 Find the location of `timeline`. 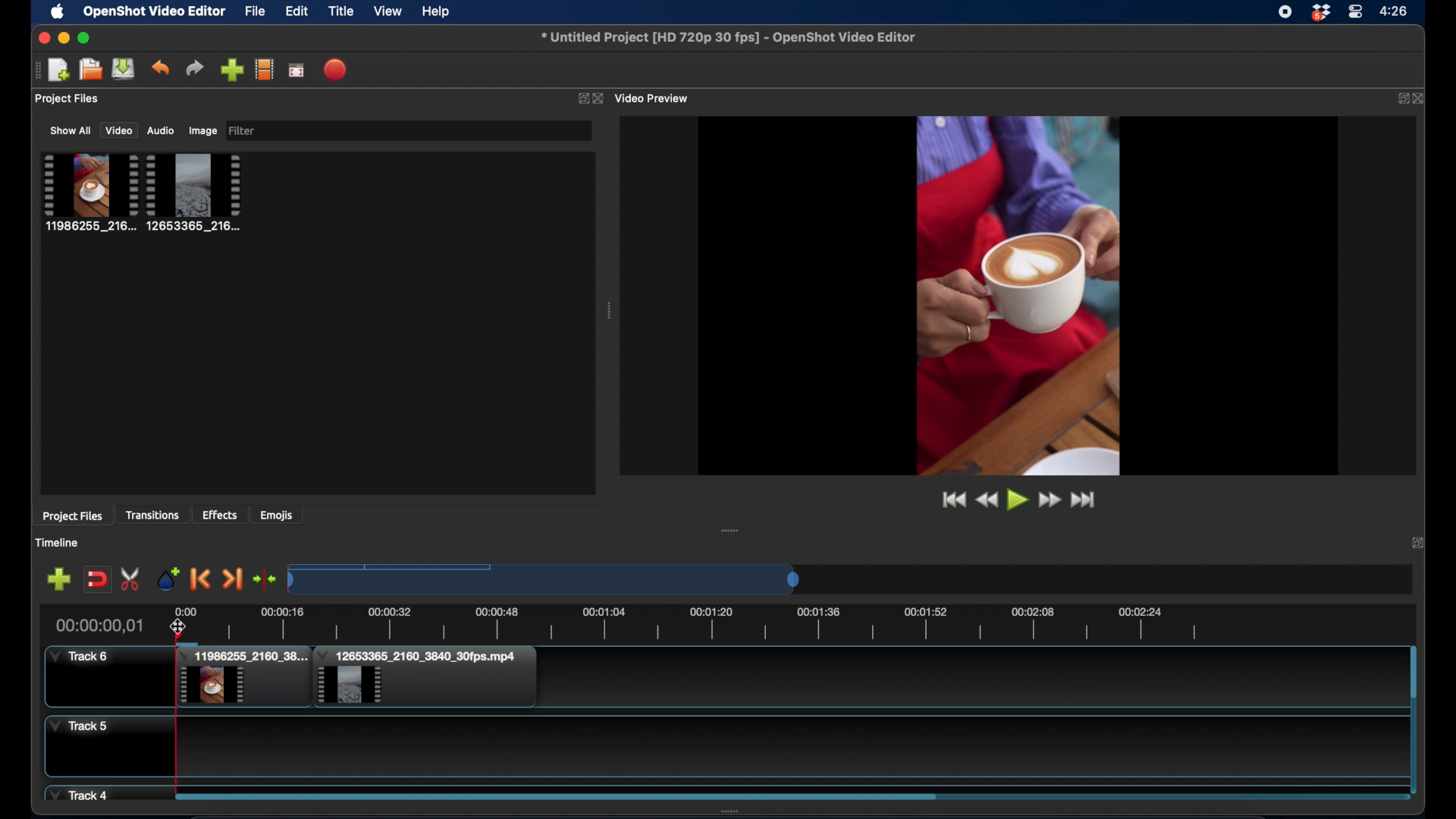

timeline is located at coordinates (58, 542).